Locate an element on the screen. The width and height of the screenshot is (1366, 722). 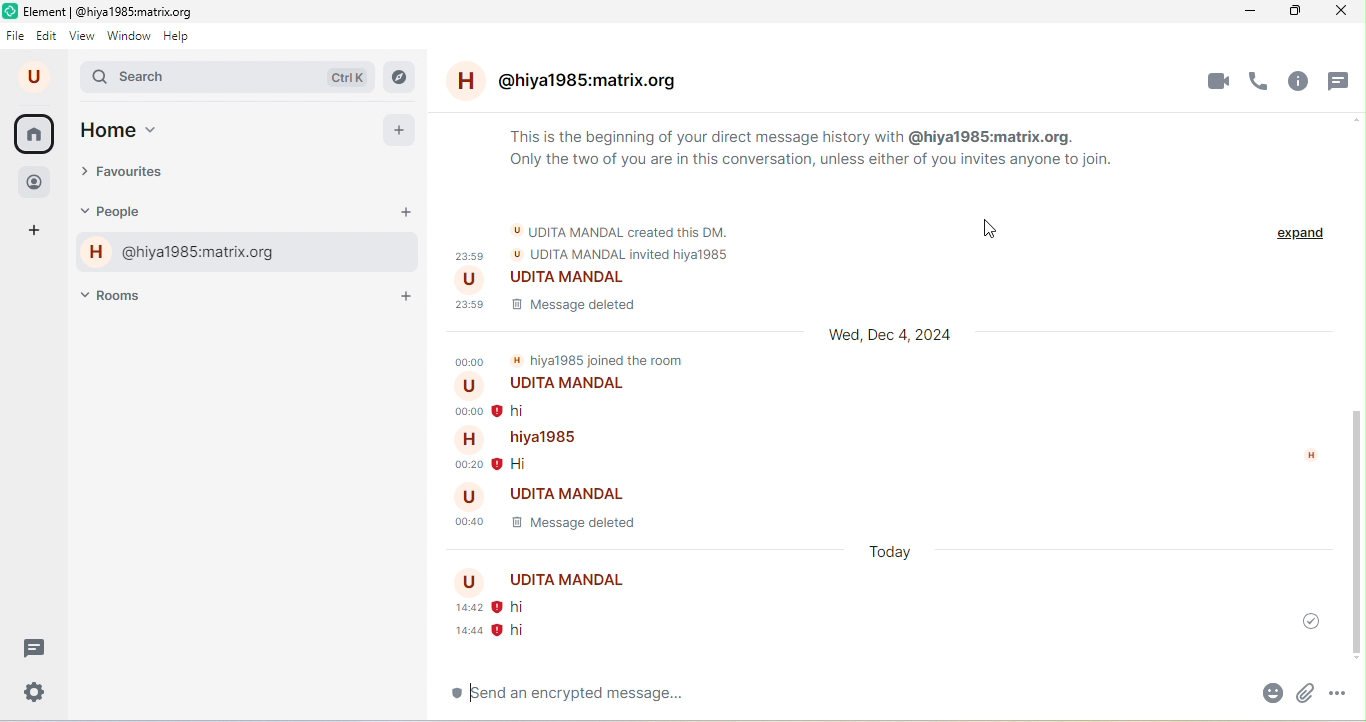
add room is located at coordinates (408, 296).